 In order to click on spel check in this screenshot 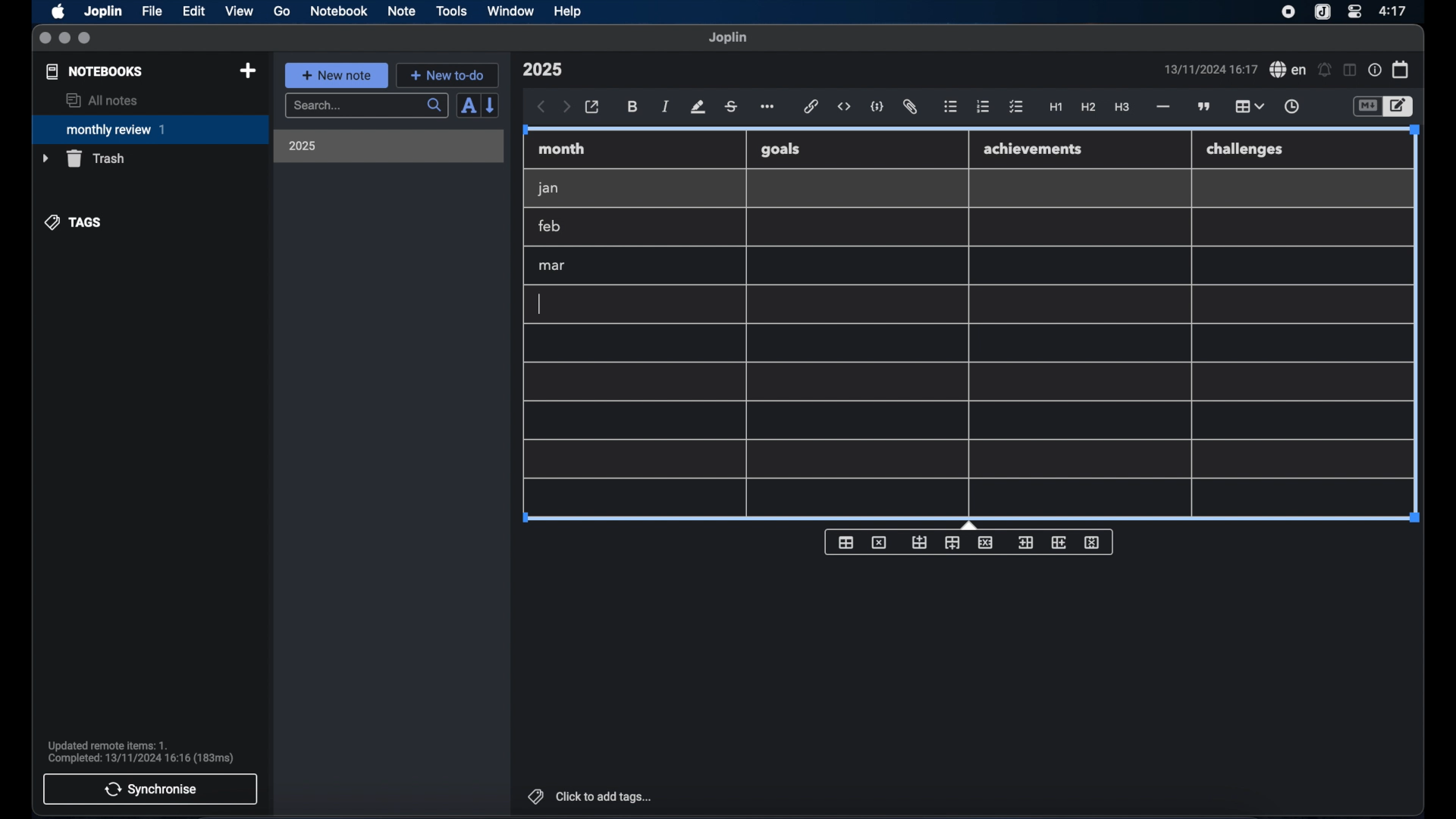, I will do `click(1288, 70)`.